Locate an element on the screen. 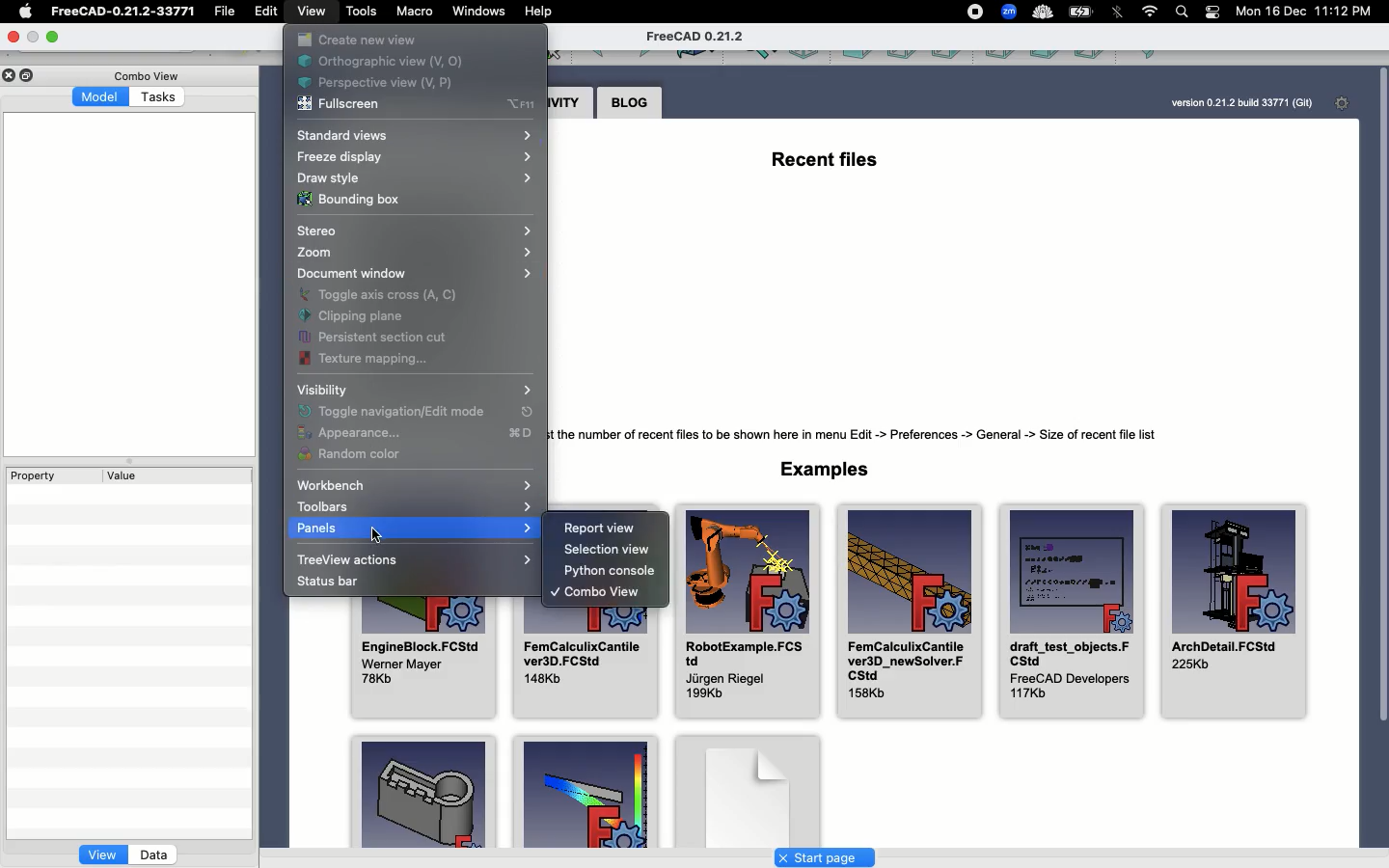 This screenshot has height=868, width=1389. Combo view is located at coordinates (595, 594).